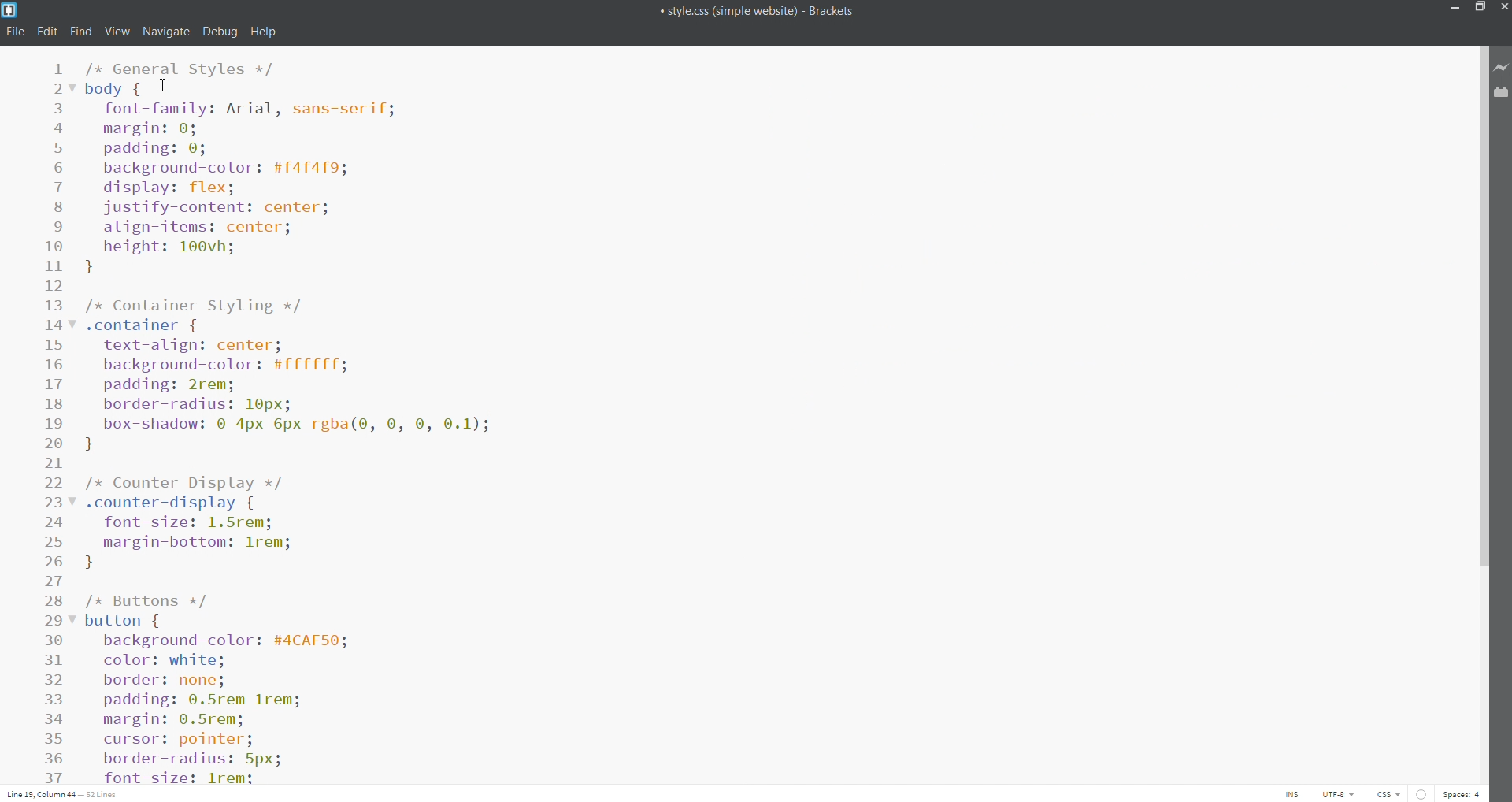 The height and width of the screenshot is (802, 1512). I want to click on line number, so click(58, 421).